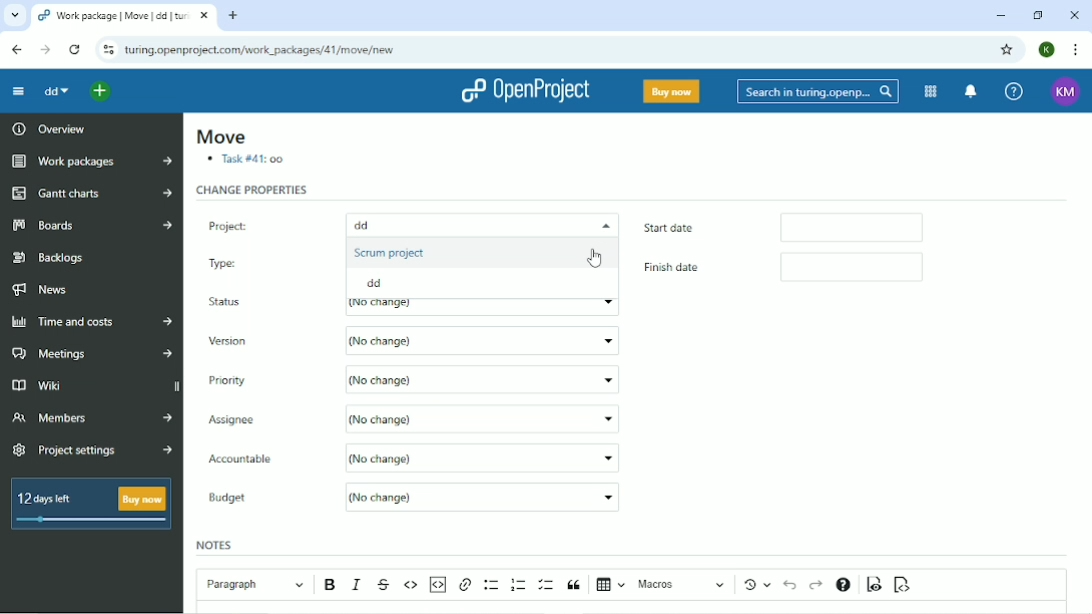  Describe the element at coordinates (62, 385) in the screenshot. I see `Wiki` at that location.